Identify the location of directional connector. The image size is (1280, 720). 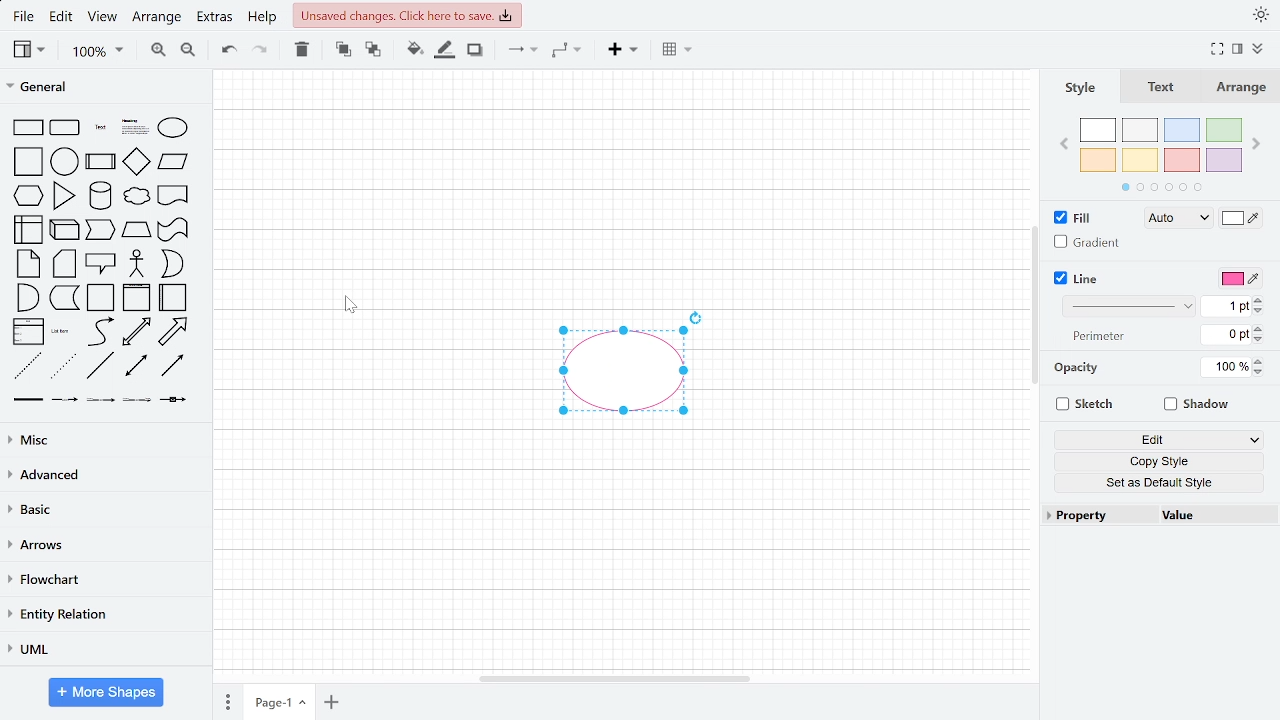
(174, 366).